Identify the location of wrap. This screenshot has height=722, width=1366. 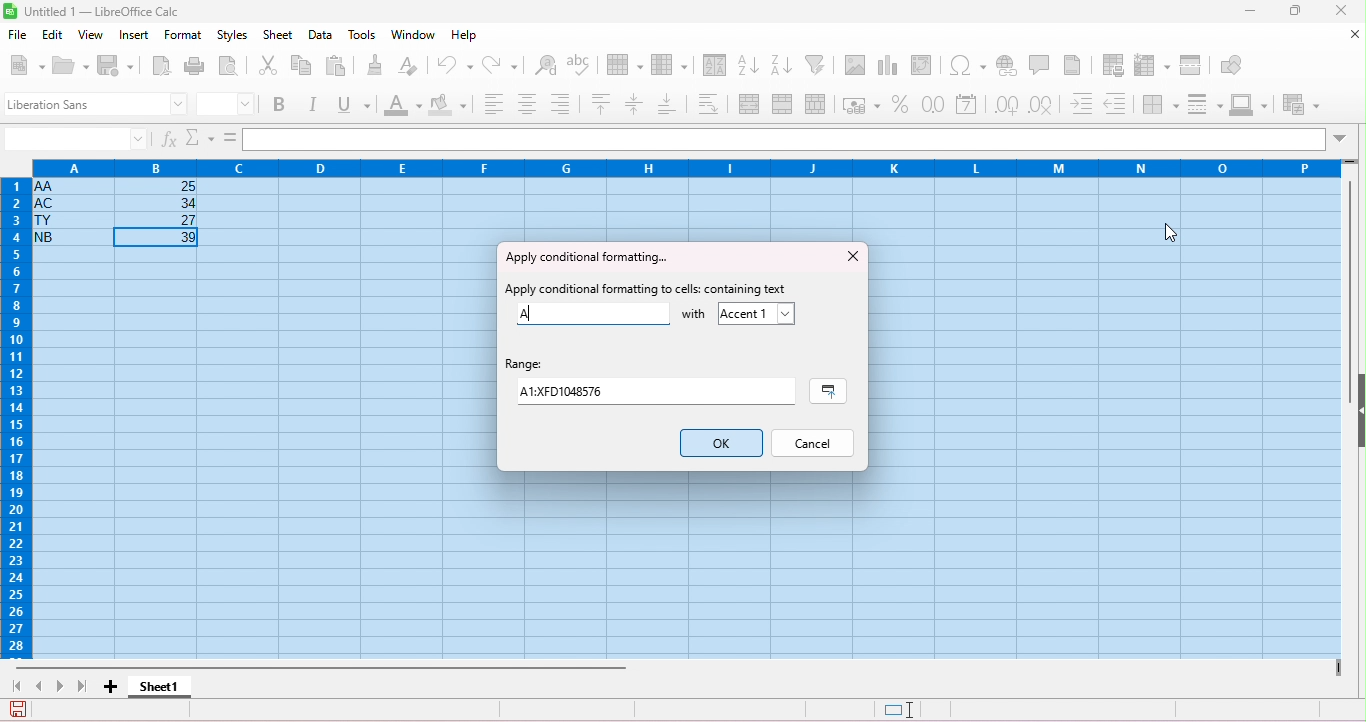
(704, 103).